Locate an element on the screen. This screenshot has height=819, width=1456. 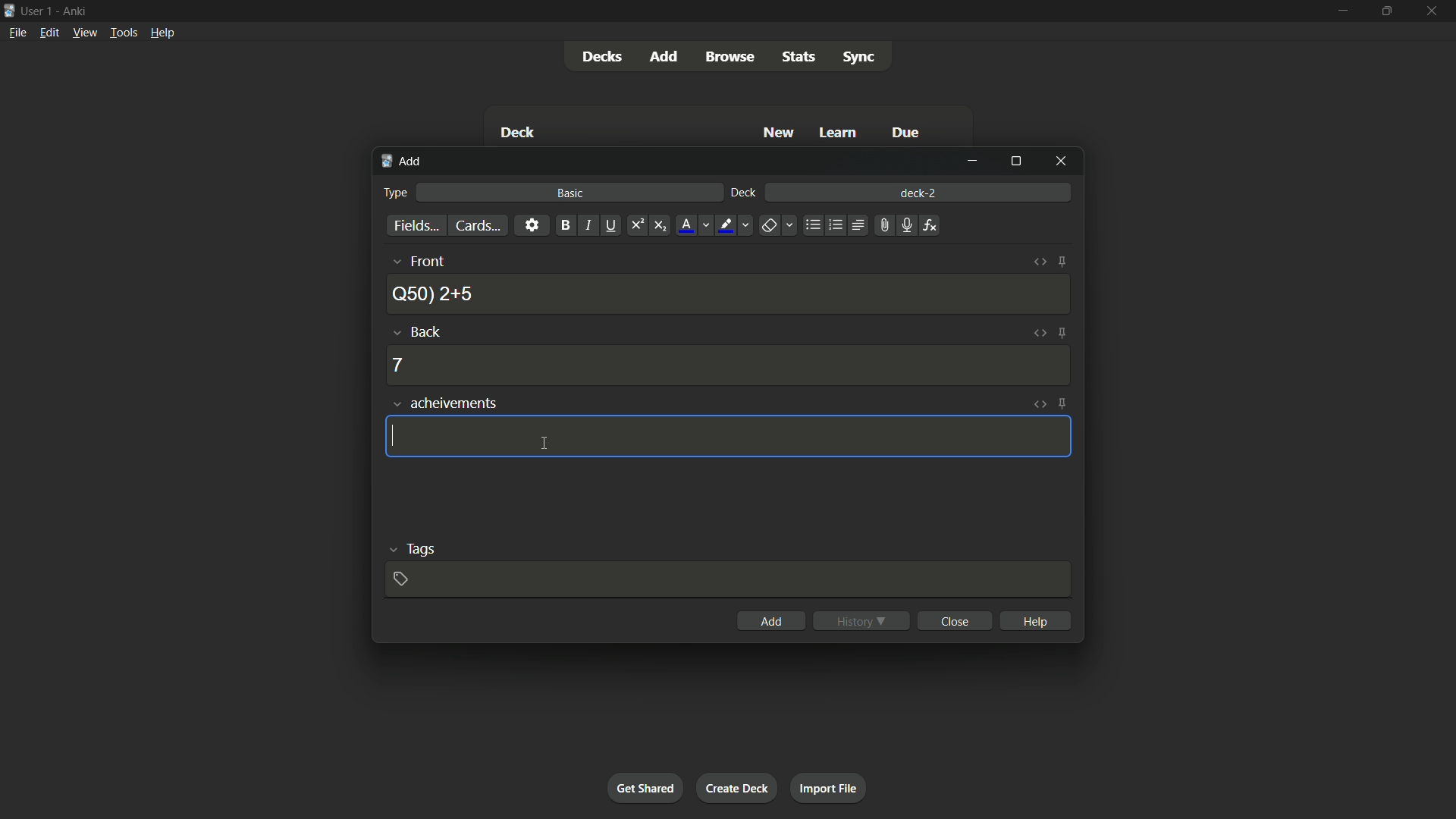
app name is located at coordinates (74, 11).